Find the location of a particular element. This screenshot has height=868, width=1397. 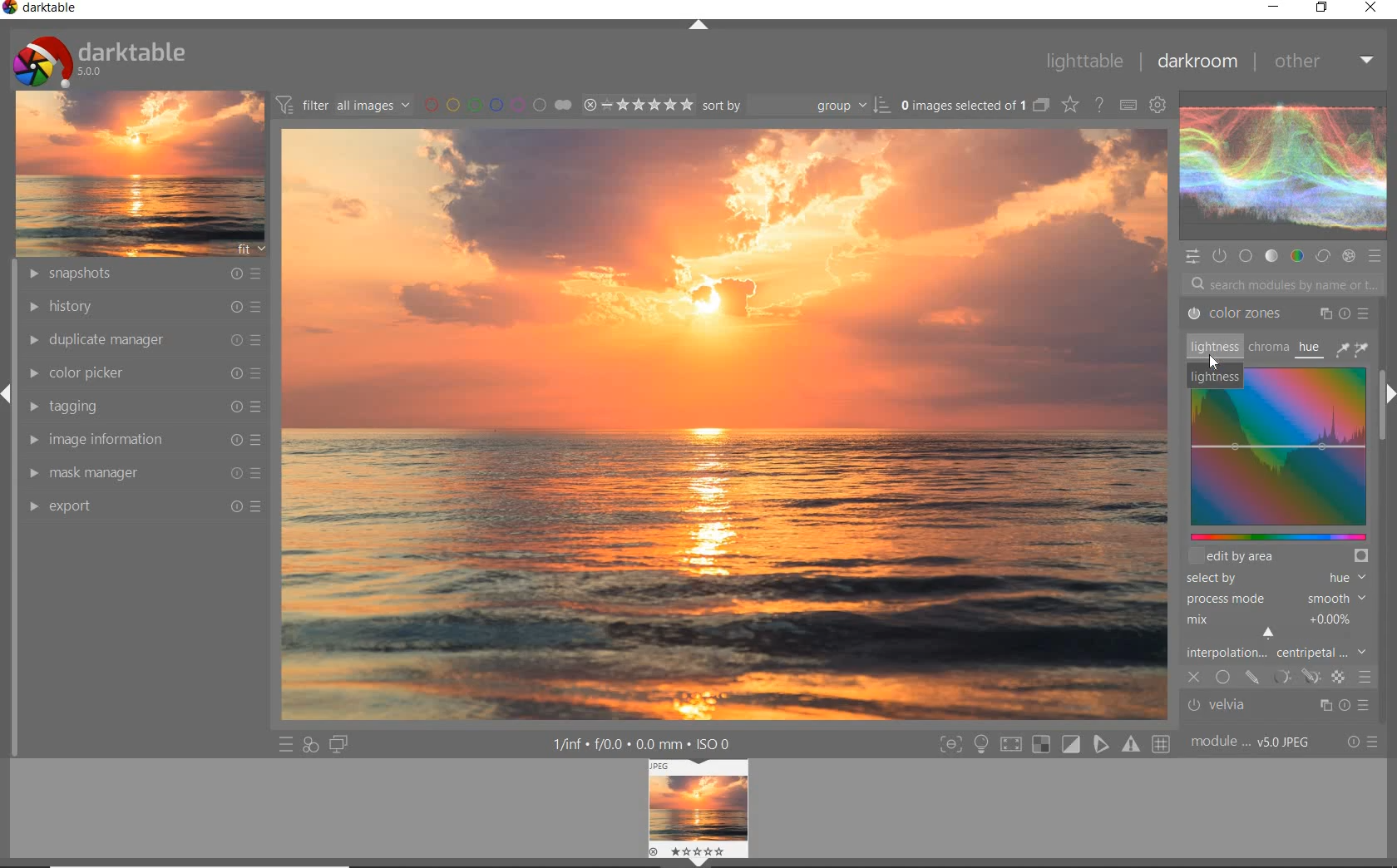

LIGHTNESS is located at coordinates (1212, 346).